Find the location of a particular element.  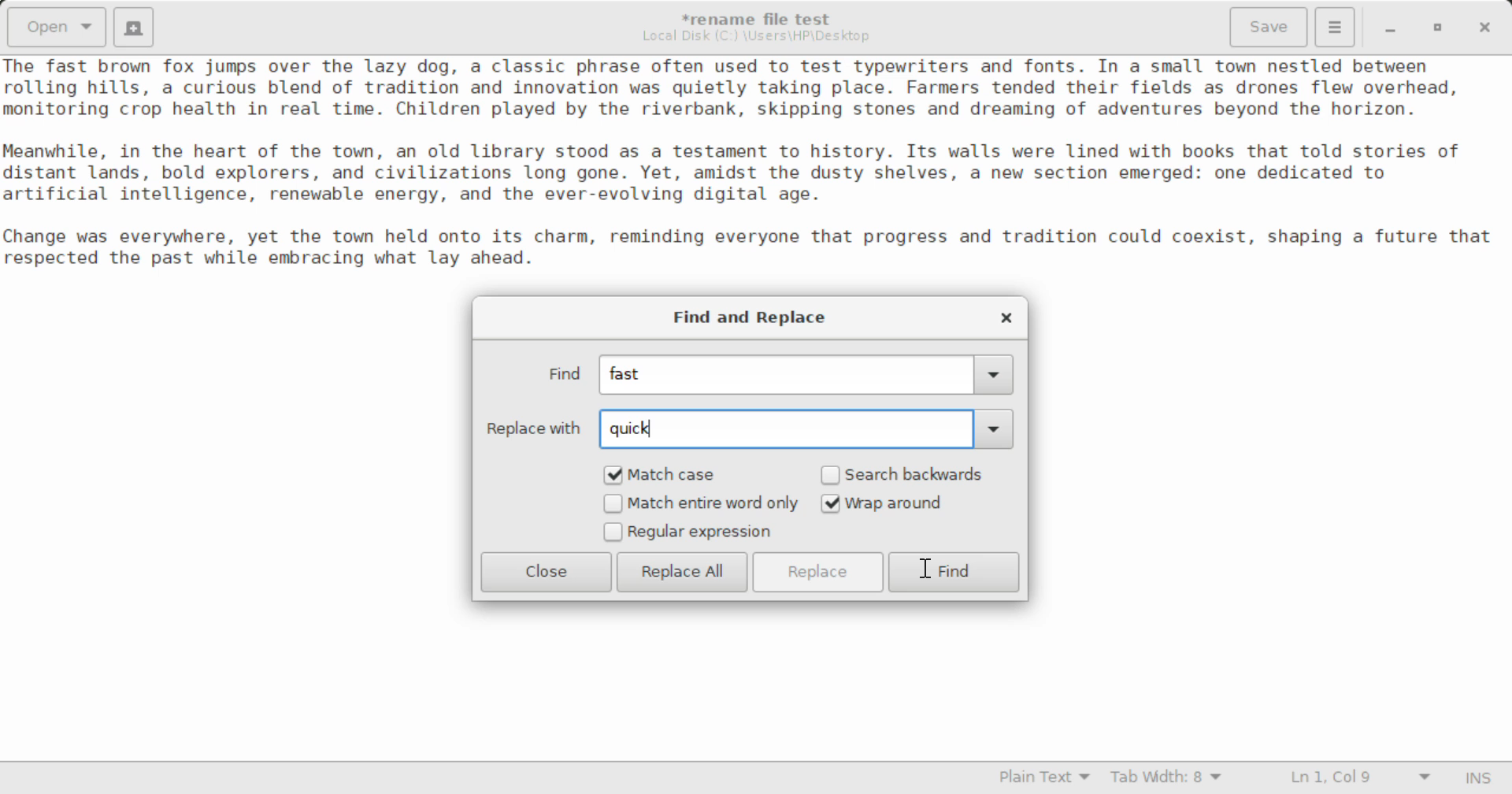

More Options Menu is located at coordinates (1336, 28).